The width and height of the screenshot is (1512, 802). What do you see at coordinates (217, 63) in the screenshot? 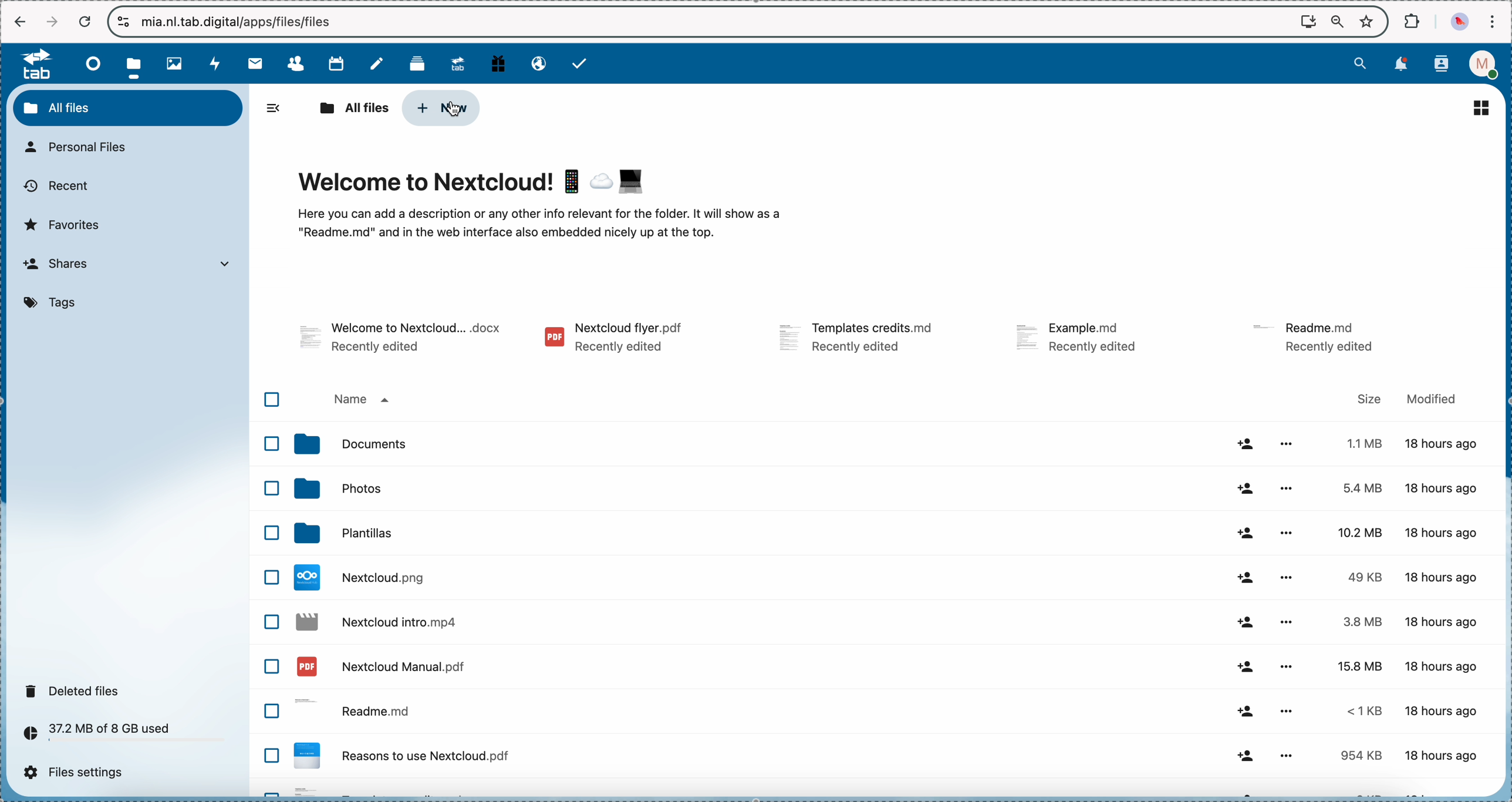
I see `activity` at bounding box center [217, 63].